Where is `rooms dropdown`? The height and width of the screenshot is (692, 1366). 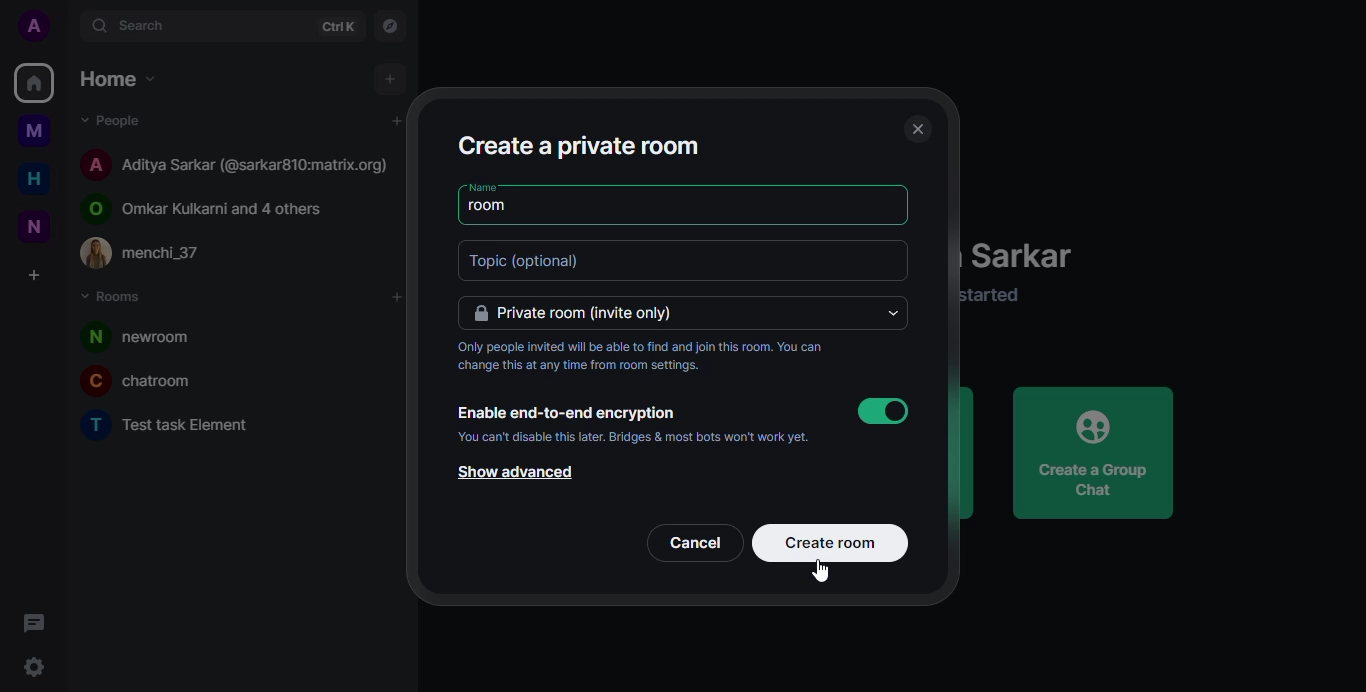 rooms dropdown is located at coordinates (117, 299).